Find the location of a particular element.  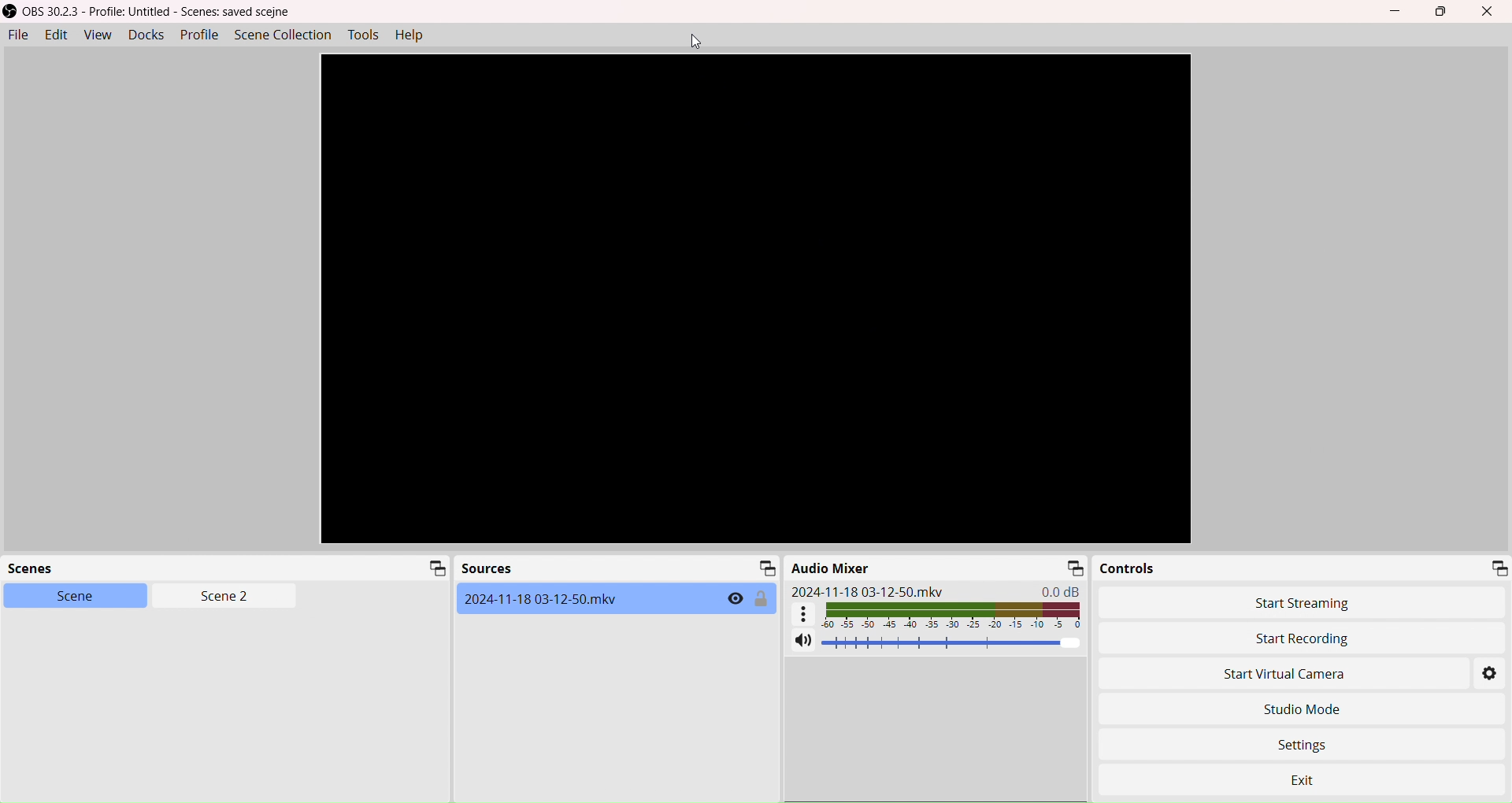

2024-11-18 03-12-50.mkv is located at coordinates (868, 591).